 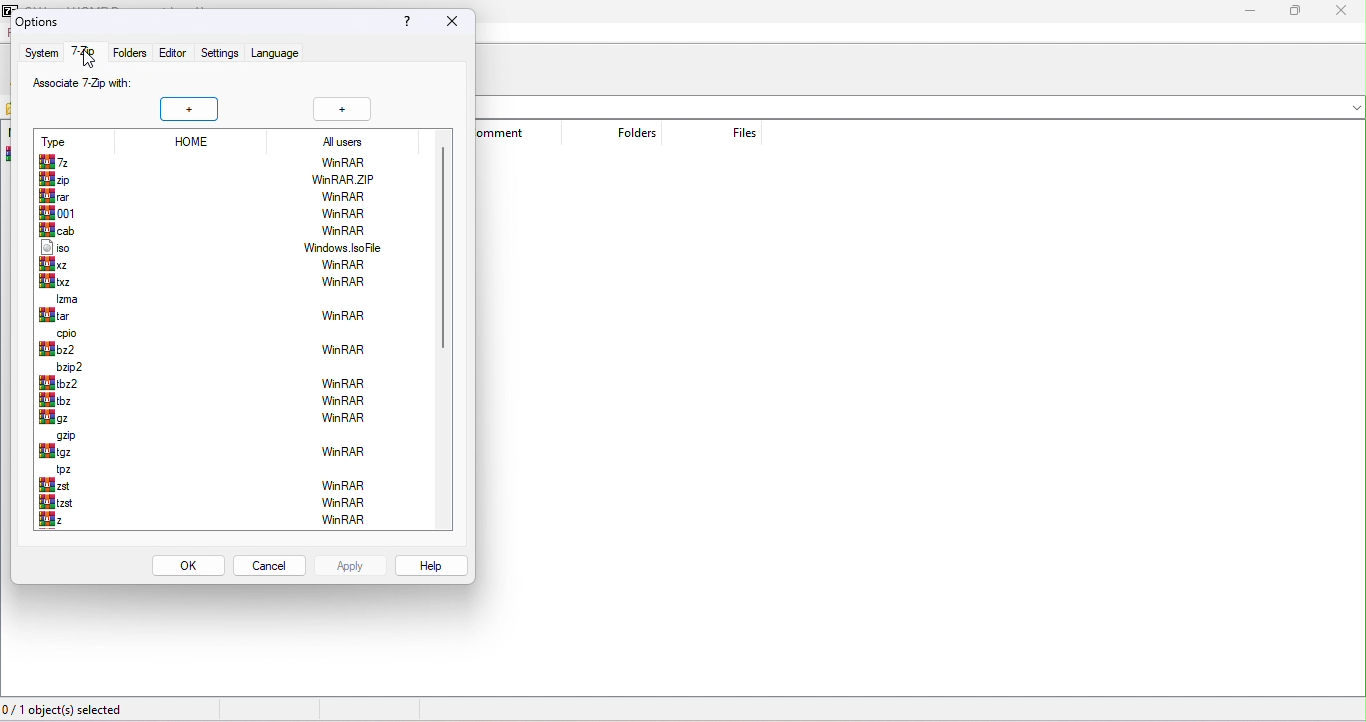 What do you see at coordinates (58, 213) in the screenshot?
I see `001` at bounding box center [58, 213].